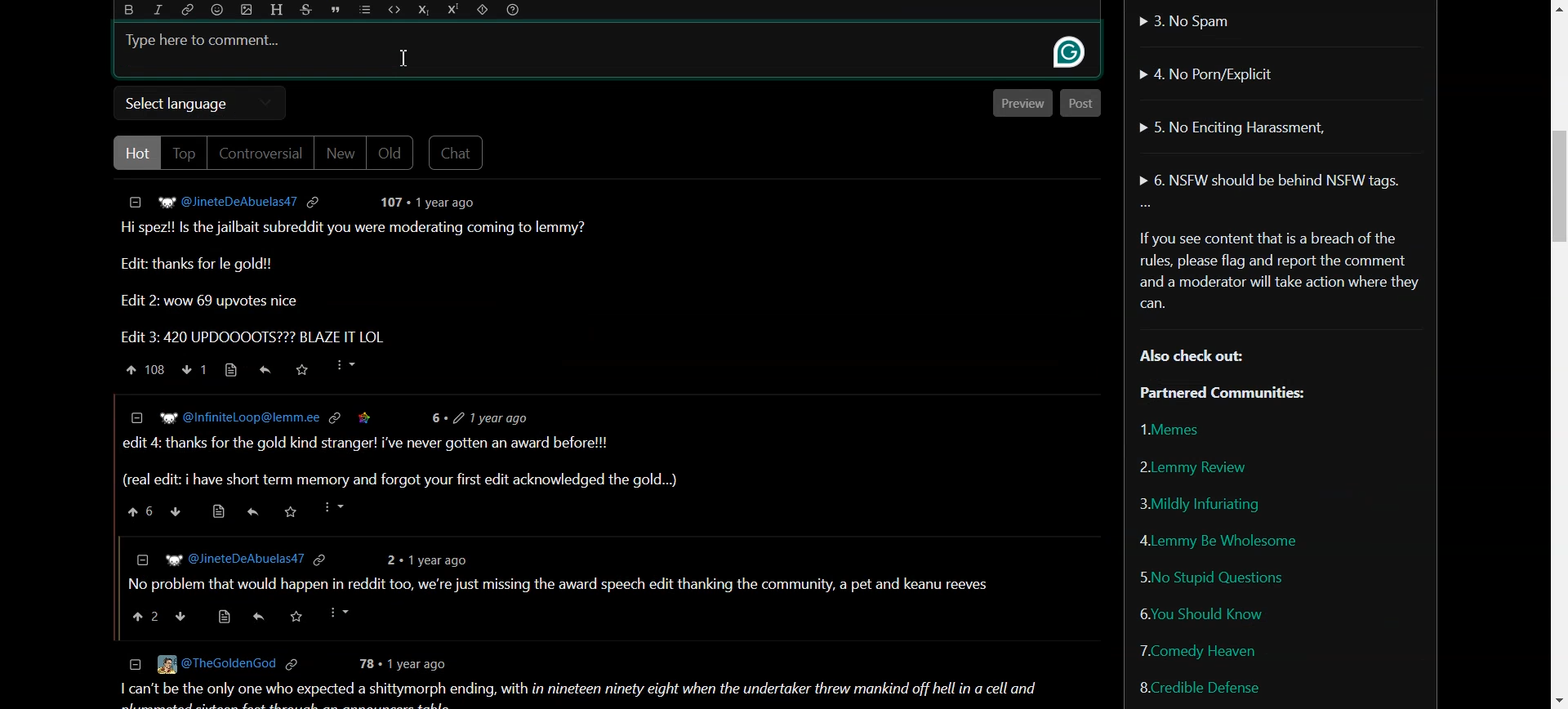  What do you see at coordinates (483, 10) in the screenshot?
I see `Spoiler` at bounding box center [483, 10].